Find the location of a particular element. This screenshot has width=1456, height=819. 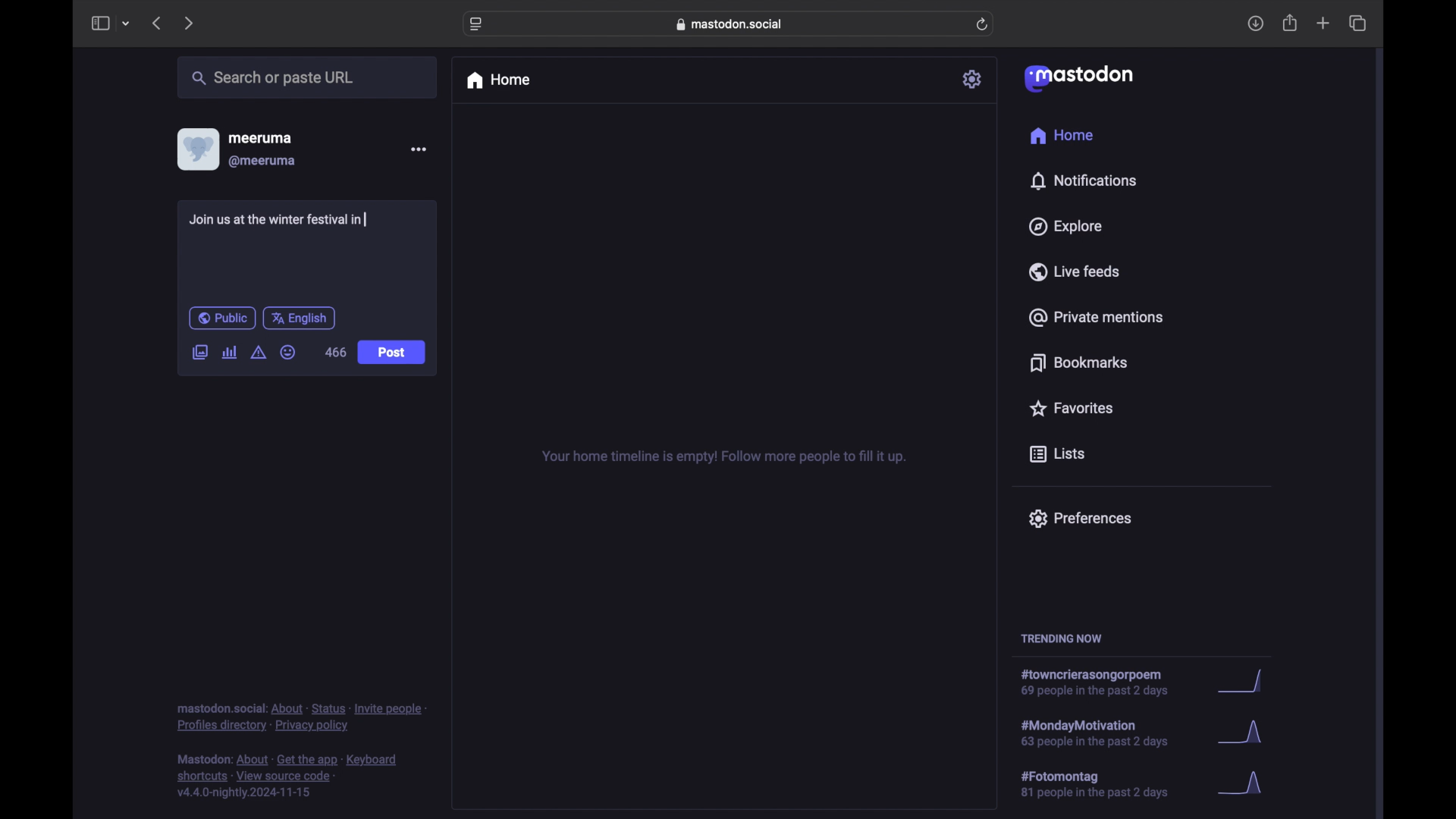

home is located at coordinates (497, 80).